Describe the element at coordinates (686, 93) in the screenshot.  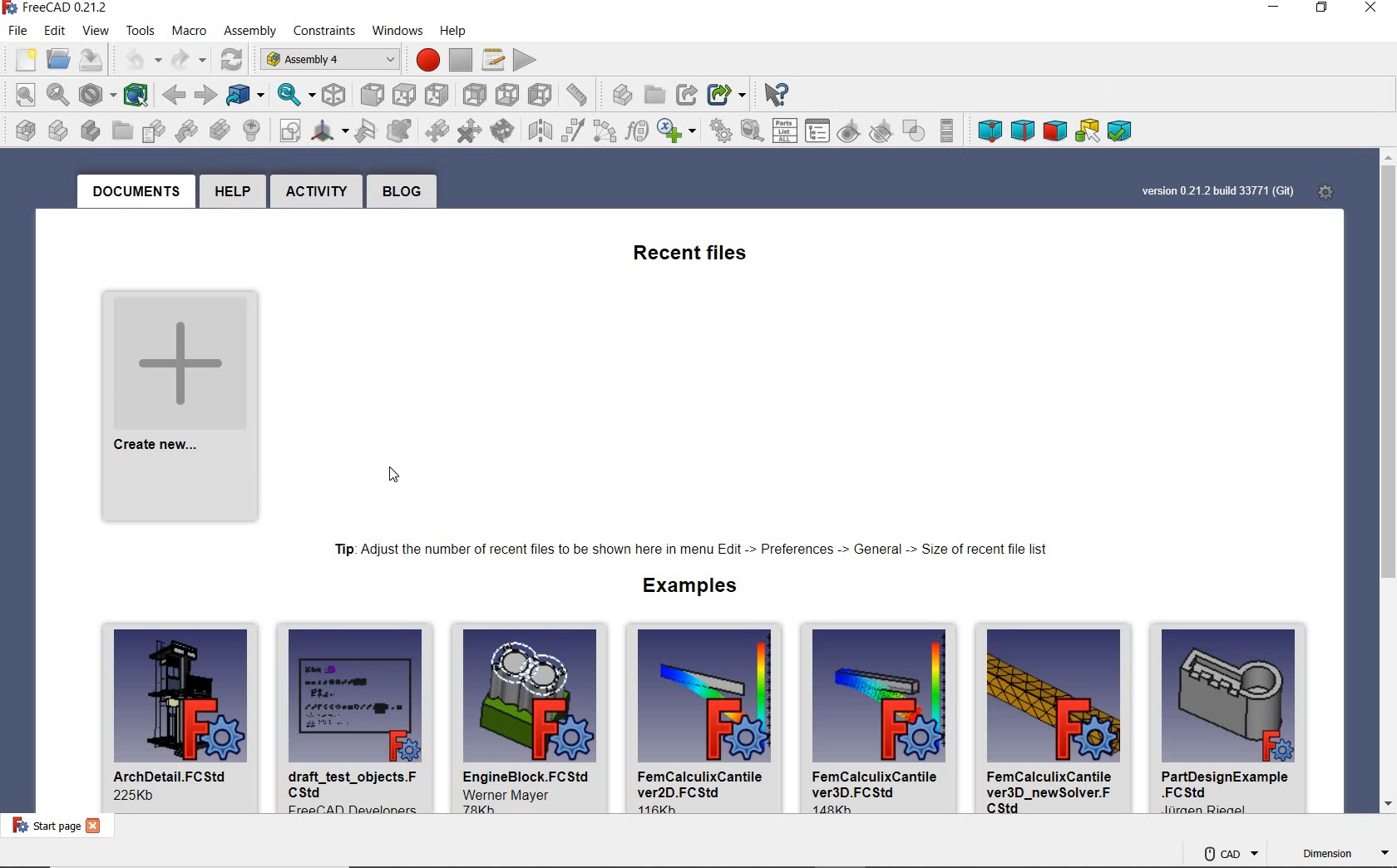
I see `MAKE LINK` at that location.